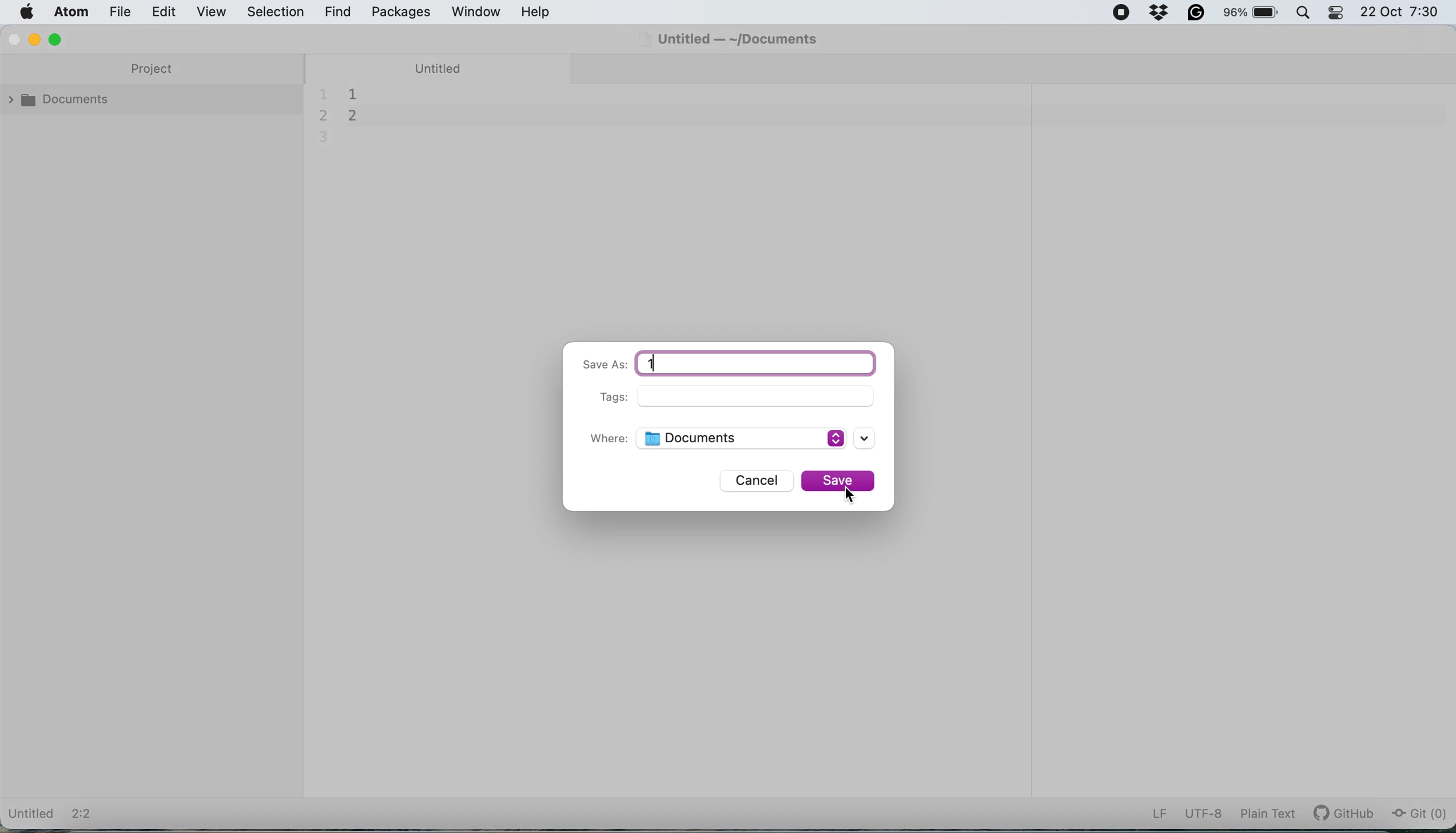 This screenshot has height=833, width=1456. Describe the element at coordinates (1203, 814) in the screenshot. I see `utf-8` at that location.